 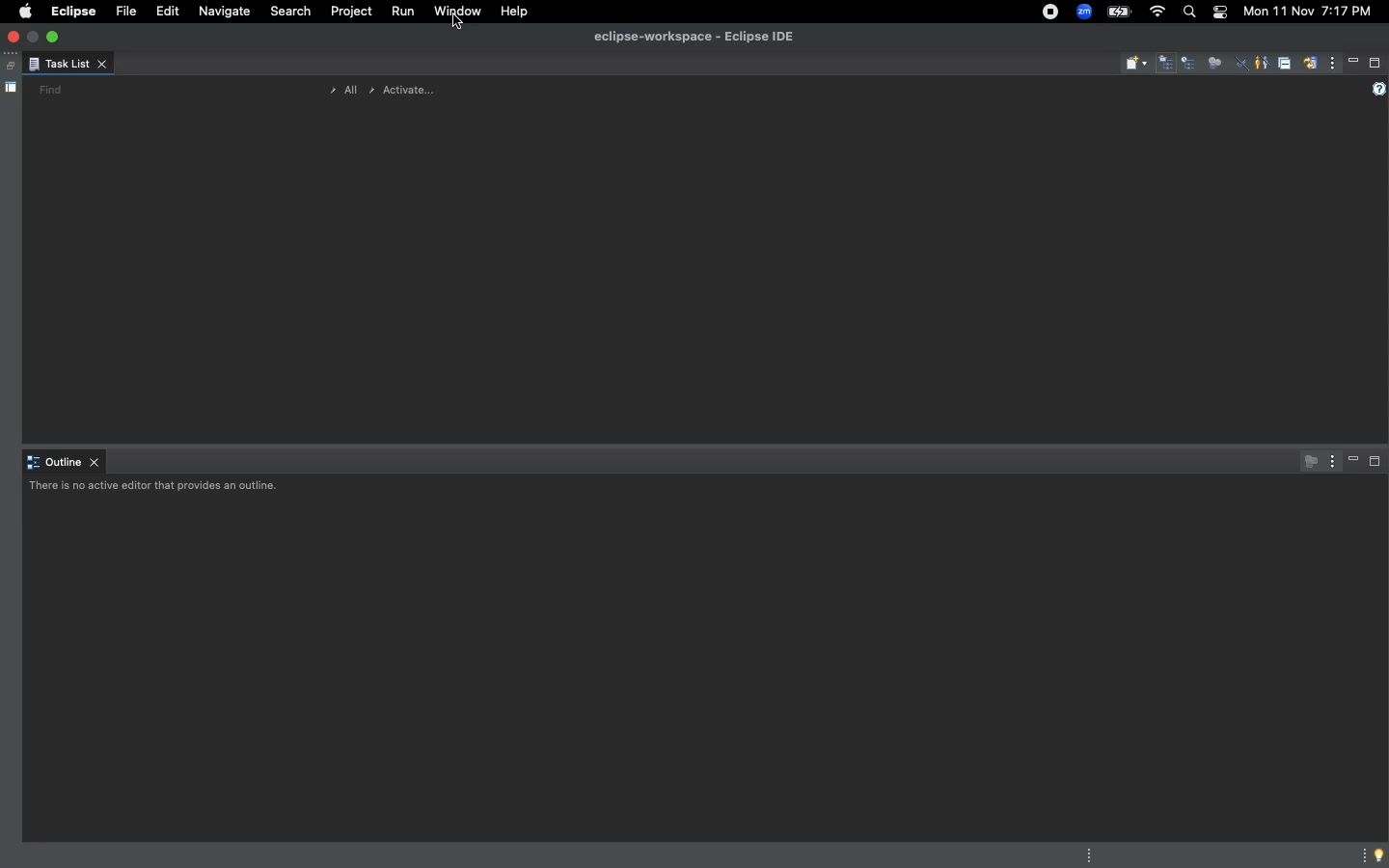 I want to click on Notification , so click(x=1217, y=12).